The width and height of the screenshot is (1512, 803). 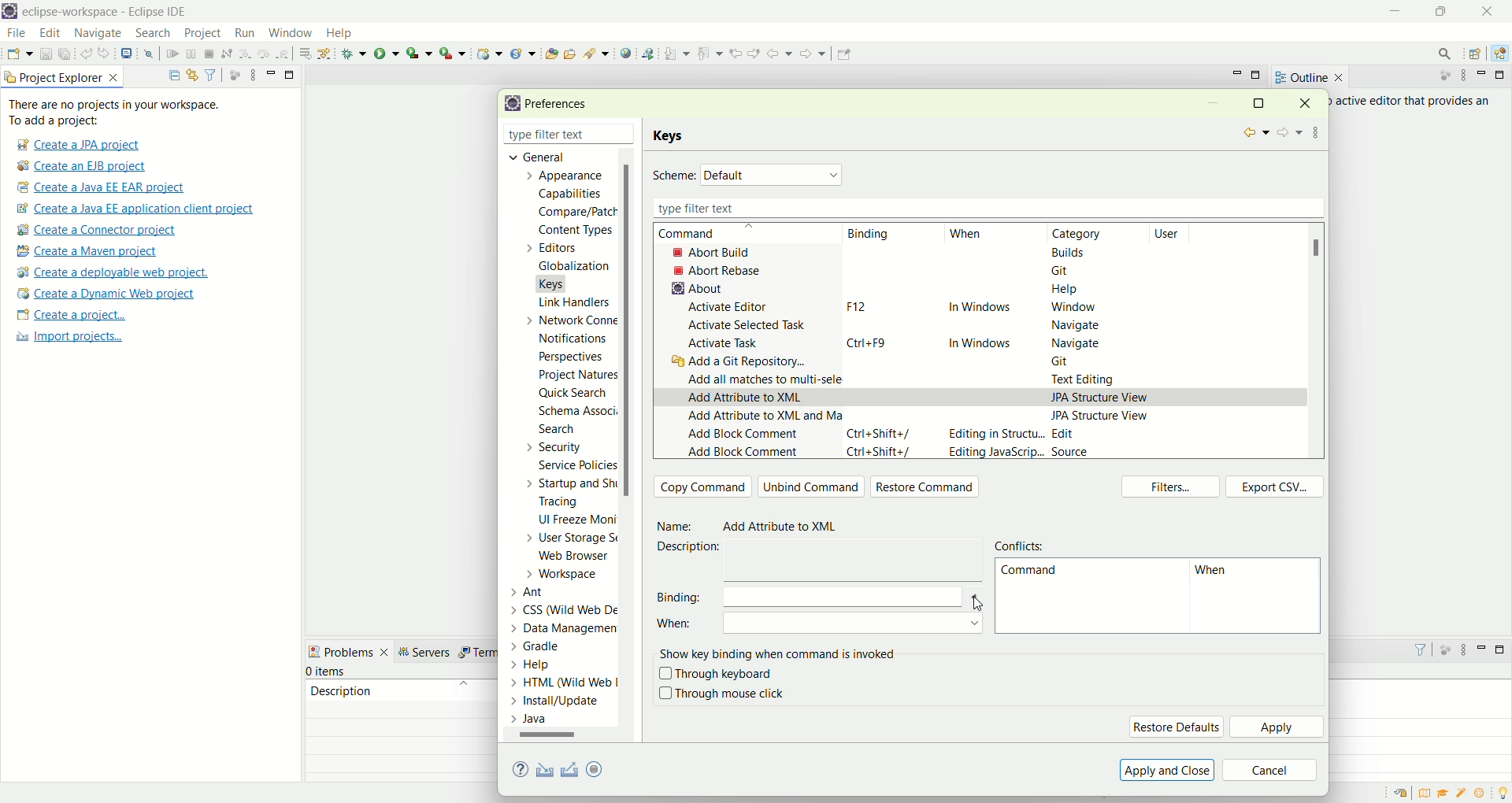 I want to click on appearance, so click(x=569, y=177).